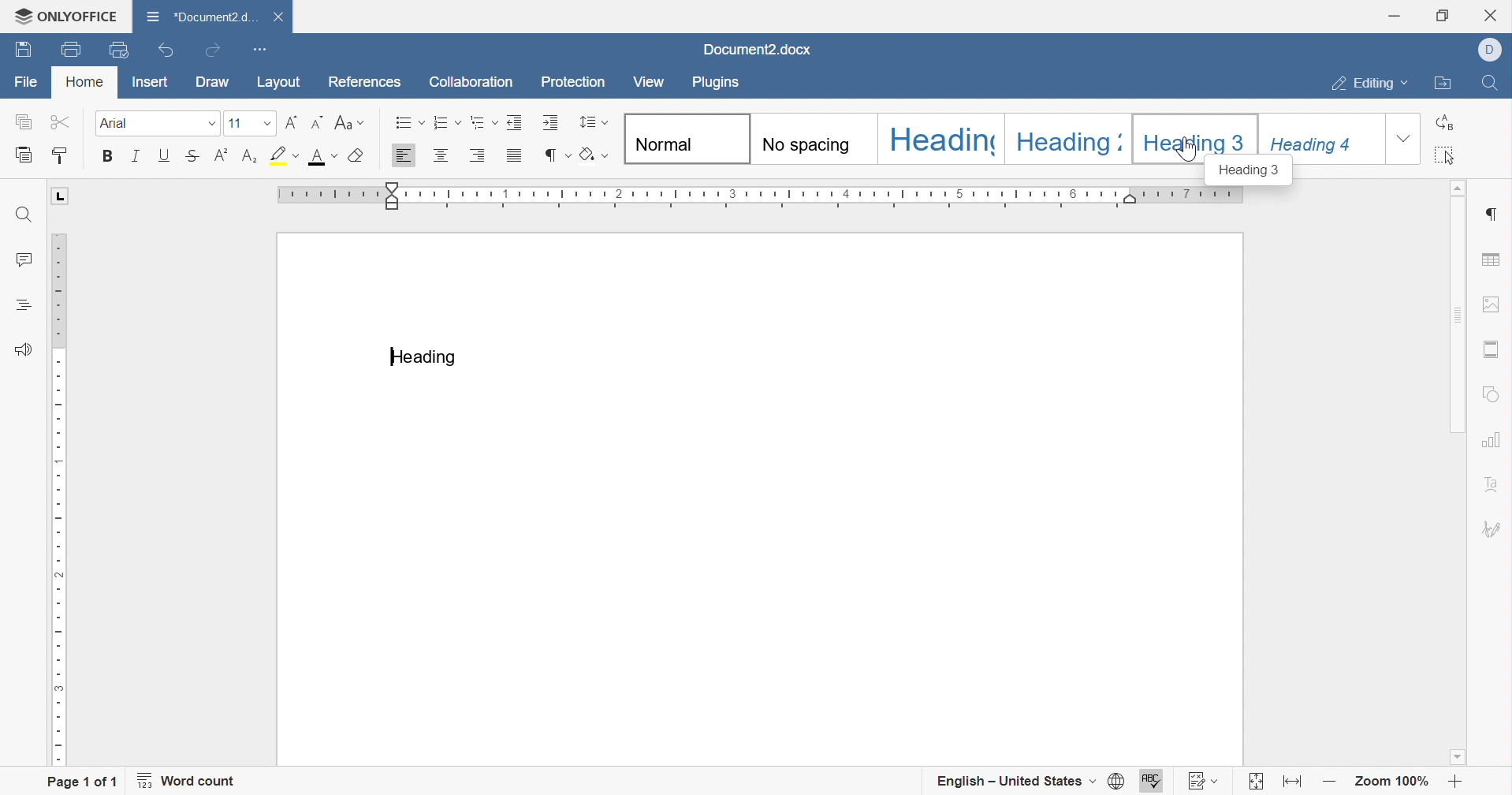 The image size is (1512, 795). What do you see at coordinates (1443, 84) in the screenshot?
I see `Open file location` at bounding box center [1443, 84].